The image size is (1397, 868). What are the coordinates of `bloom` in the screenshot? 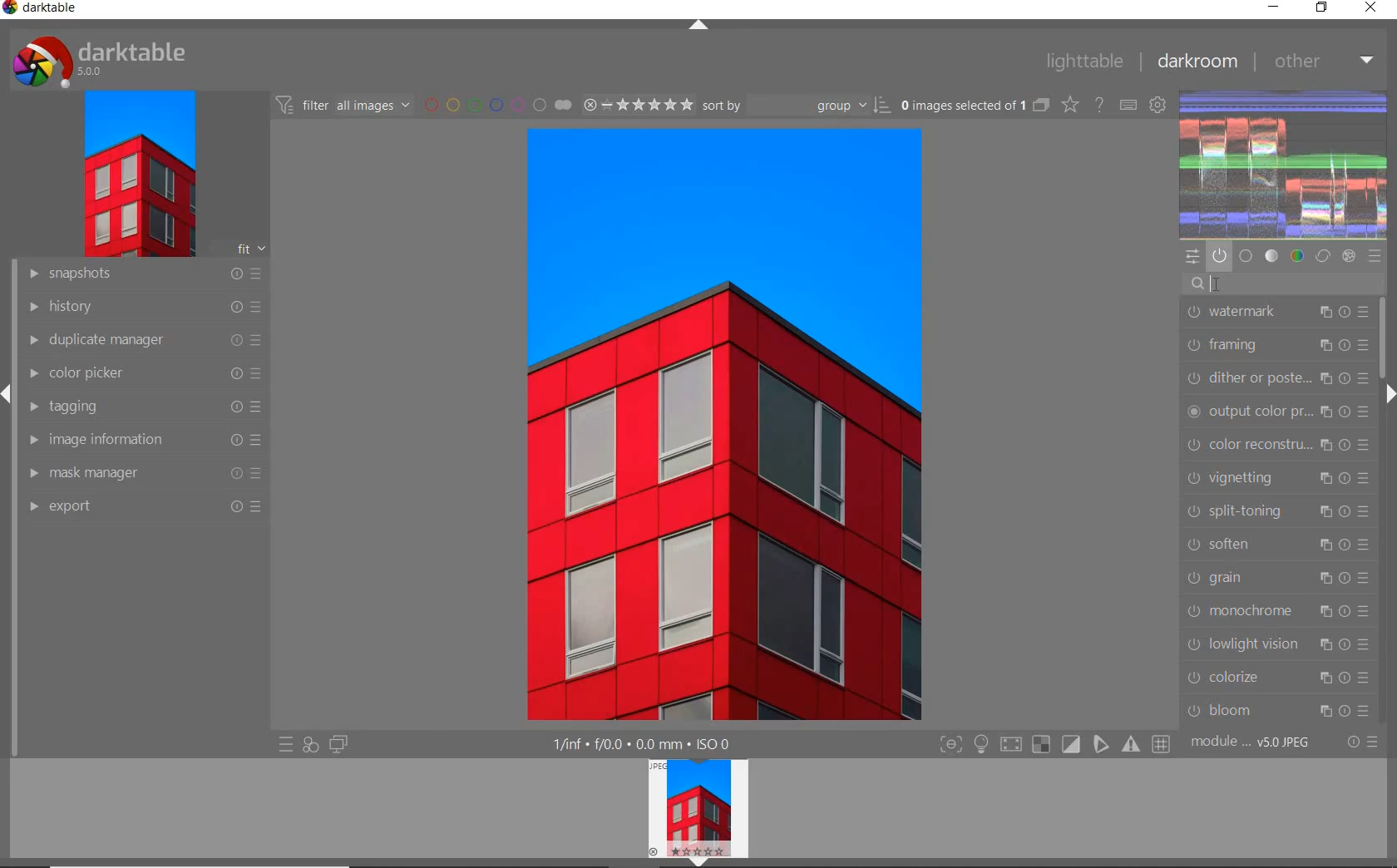 It's located at (1277, 708).